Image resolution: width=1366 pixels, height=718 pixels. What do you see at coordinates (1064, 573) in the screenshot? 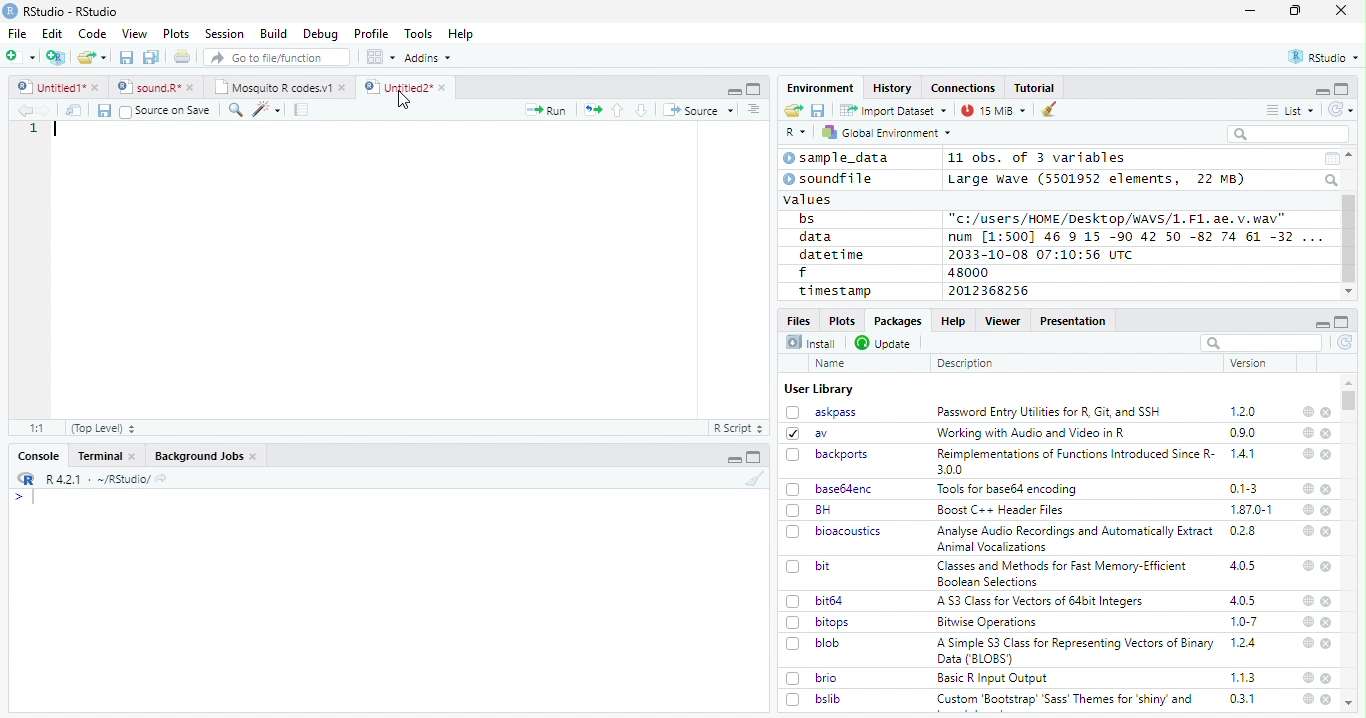
I see `(Classes and Methods for Fast Memory-Efficient
Boolean Selections` at bounding box center [1064, 573].